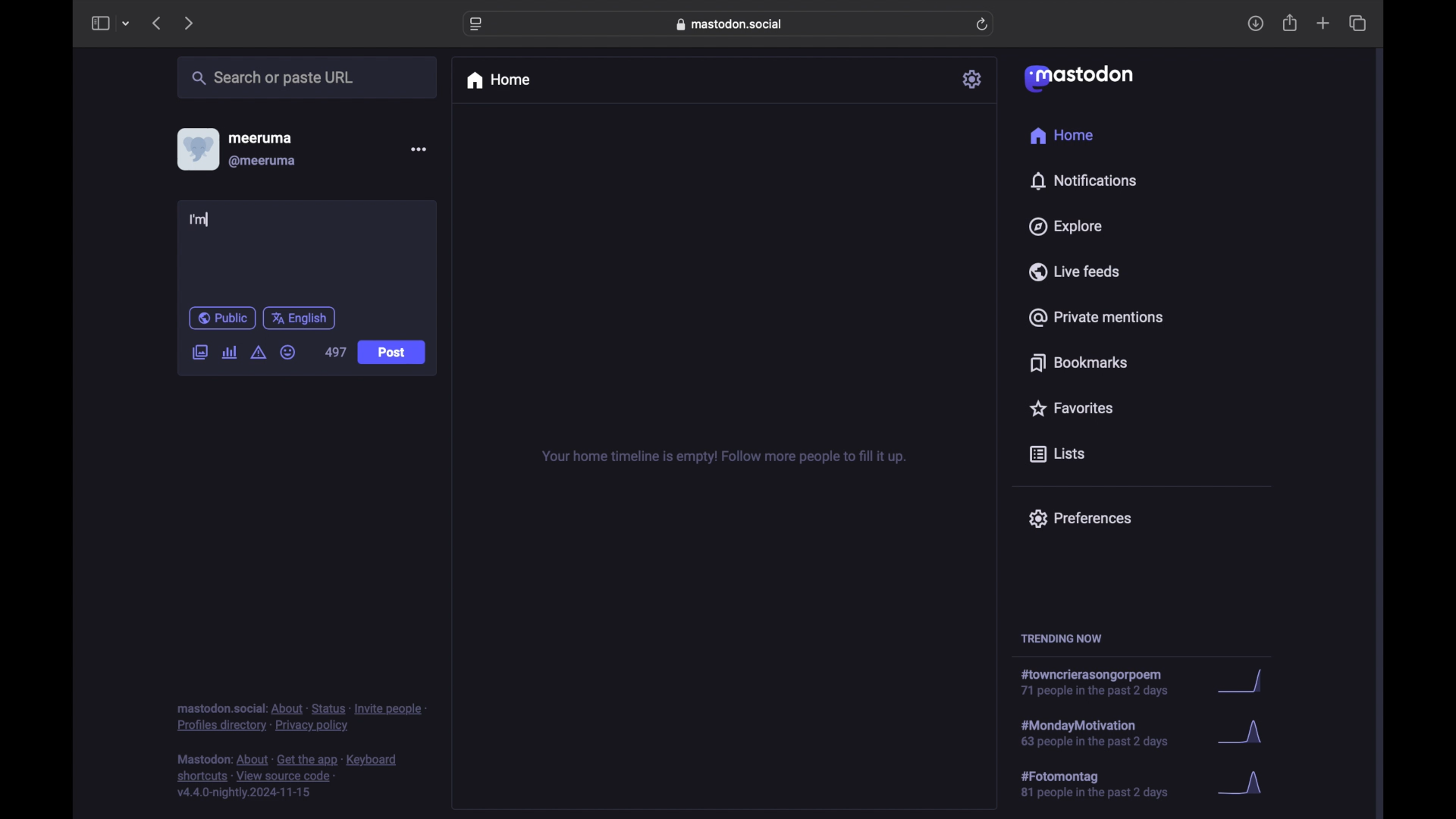 The height and width of the screenshot is (819, 1456). I want to click on web address, so click(730, 24).